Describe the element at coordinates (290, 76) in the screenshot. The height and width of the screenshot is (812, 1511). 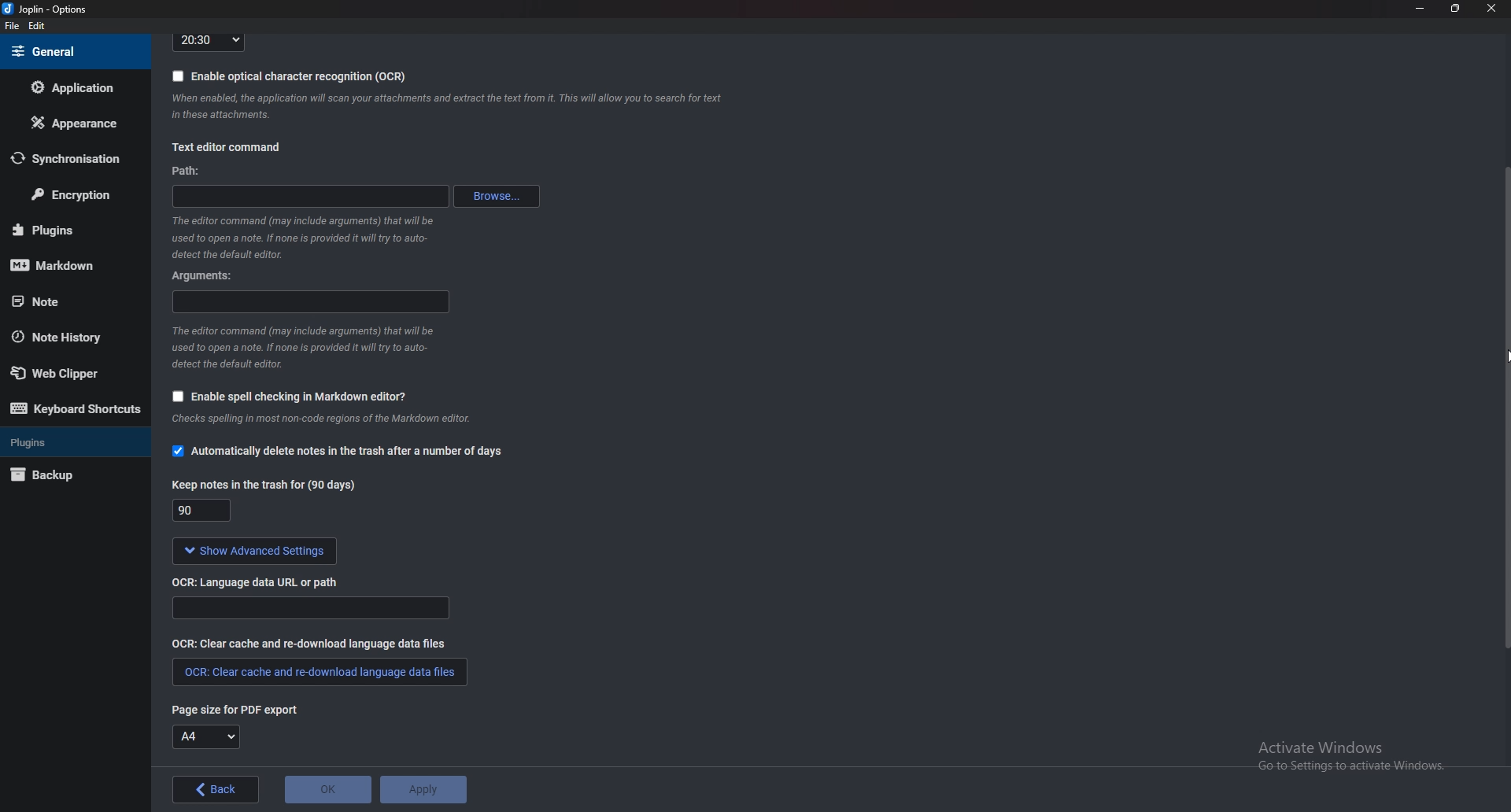
I see `Enable O C R` at that location.